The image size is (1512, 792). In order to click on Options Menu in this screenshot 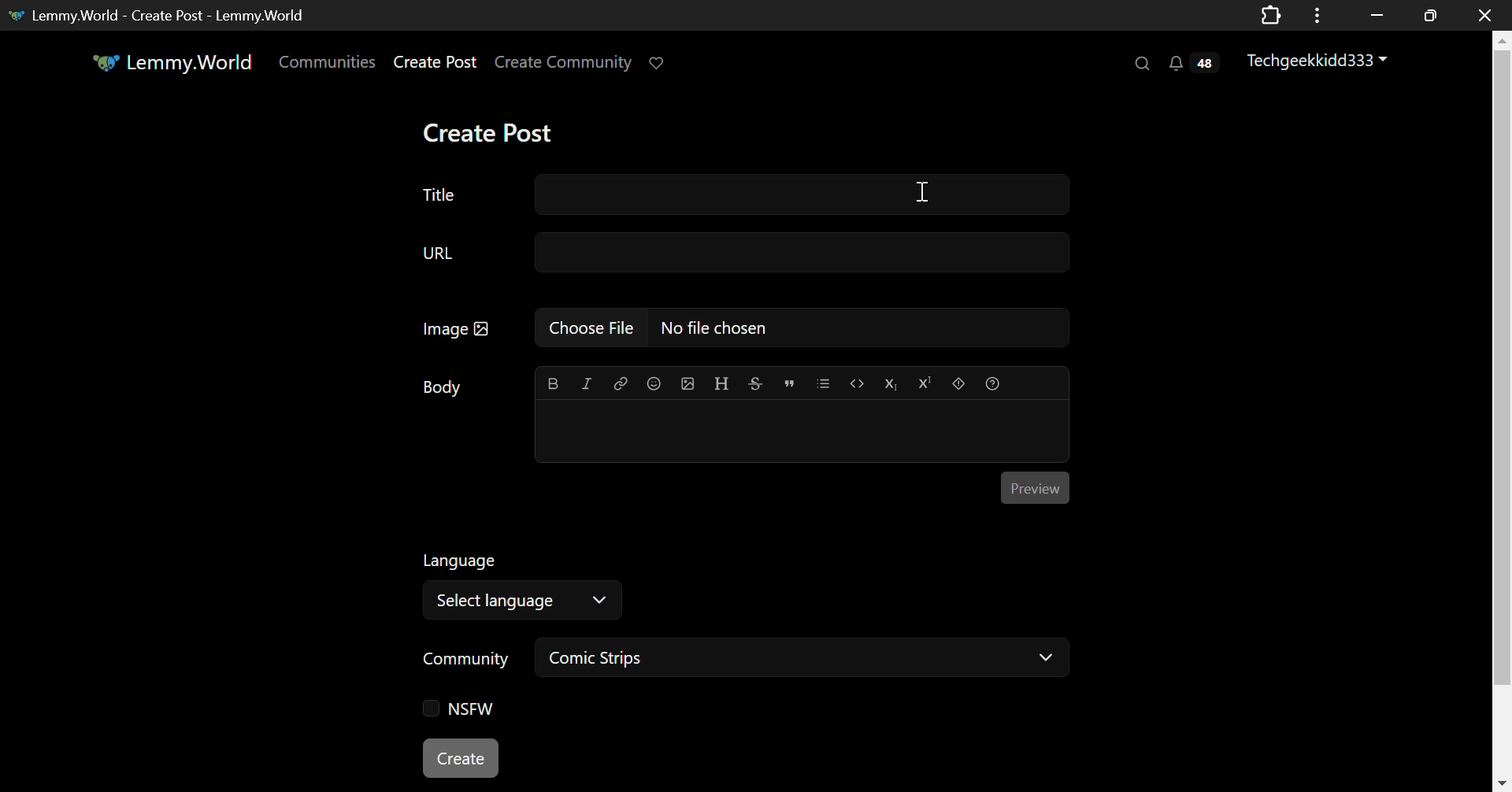, I will do `click(1314, 14)`.